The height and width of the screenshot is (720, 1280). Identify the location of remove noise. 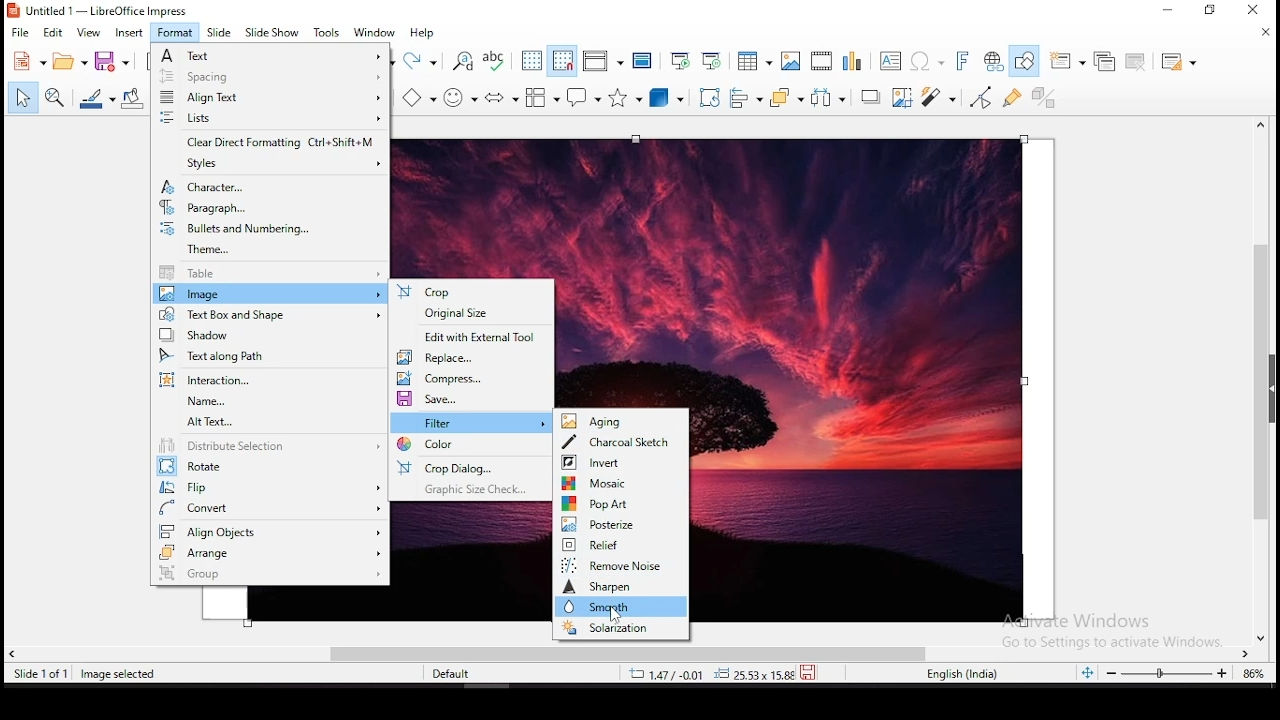
(622, 565).